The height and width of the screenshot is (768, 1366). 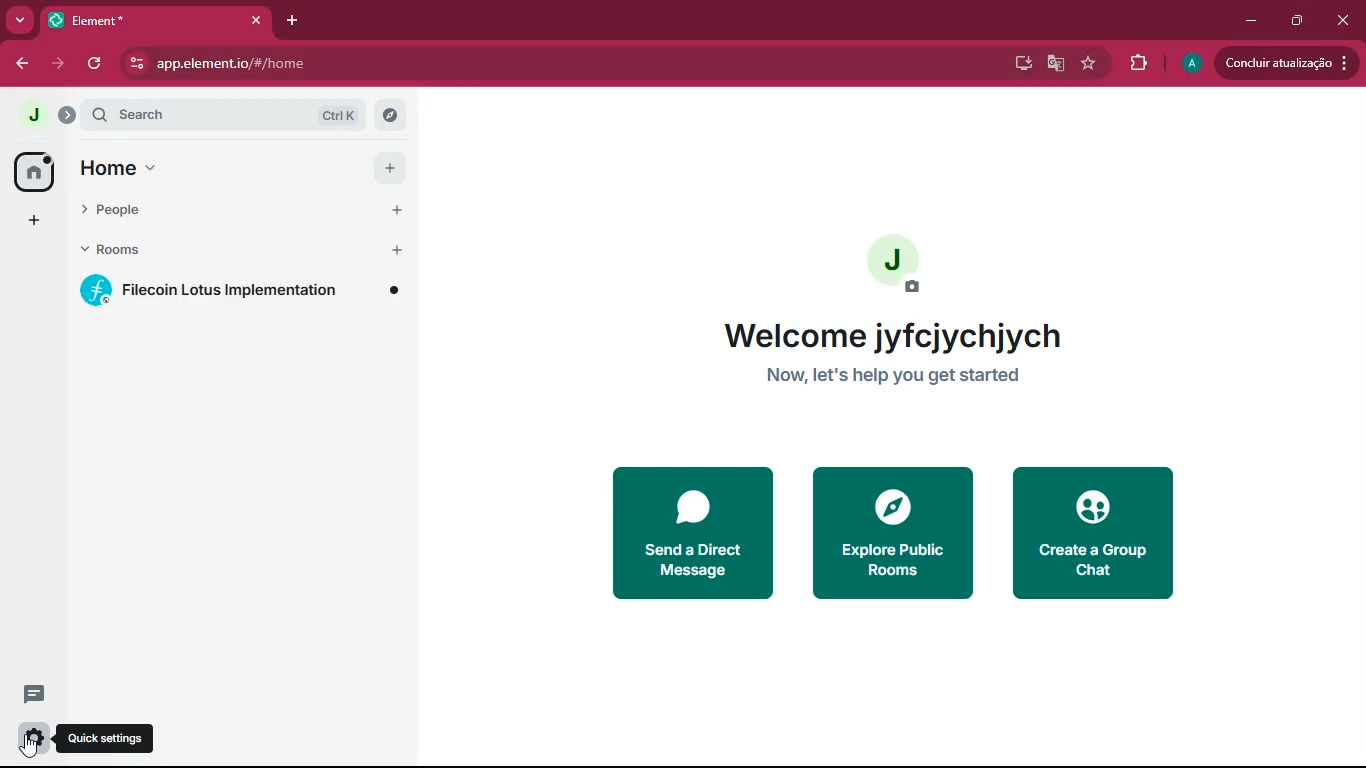 I want to click on create a group chat, so click(x=1095, y=533).